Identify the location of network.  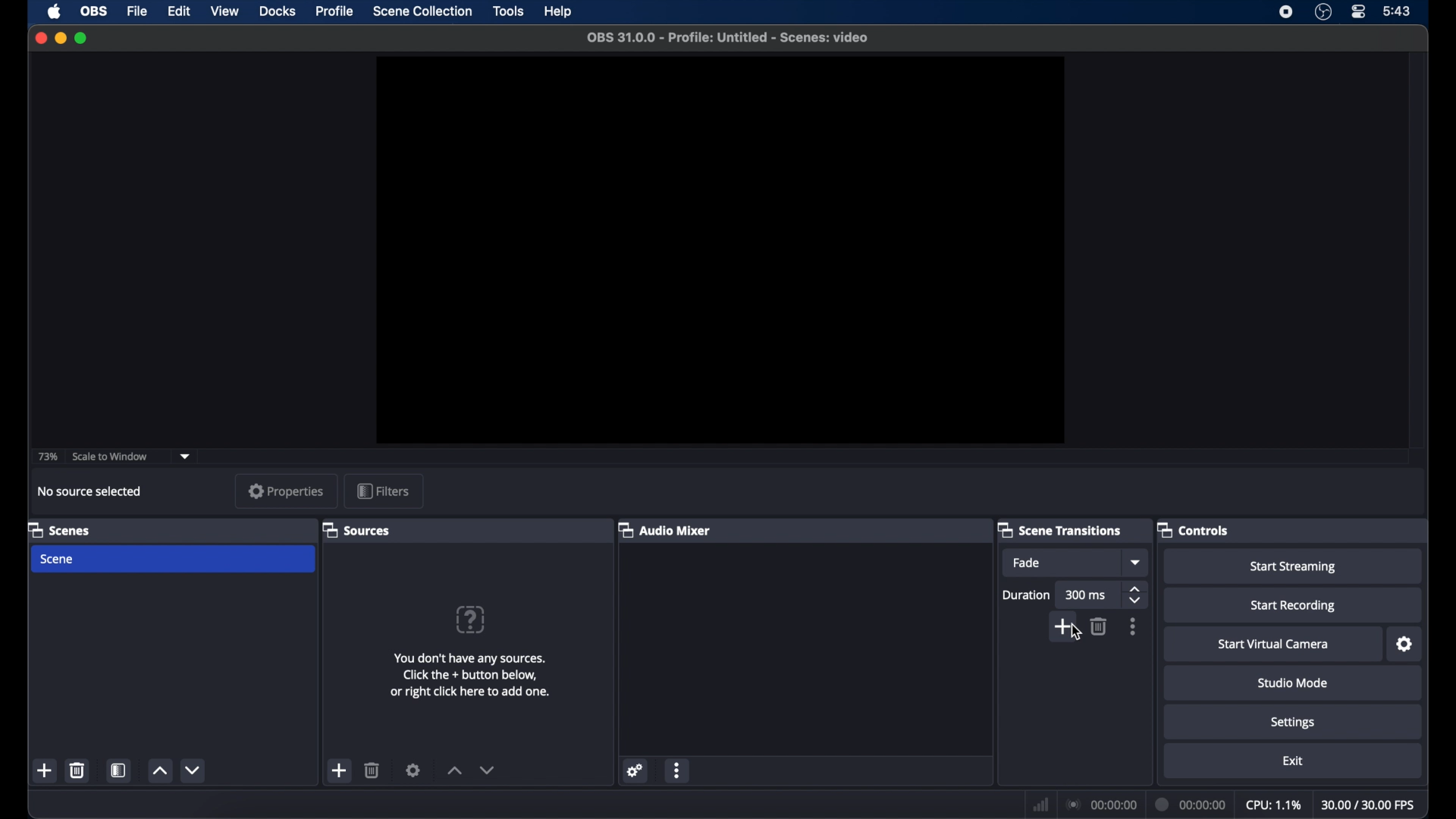
(1041, 805).